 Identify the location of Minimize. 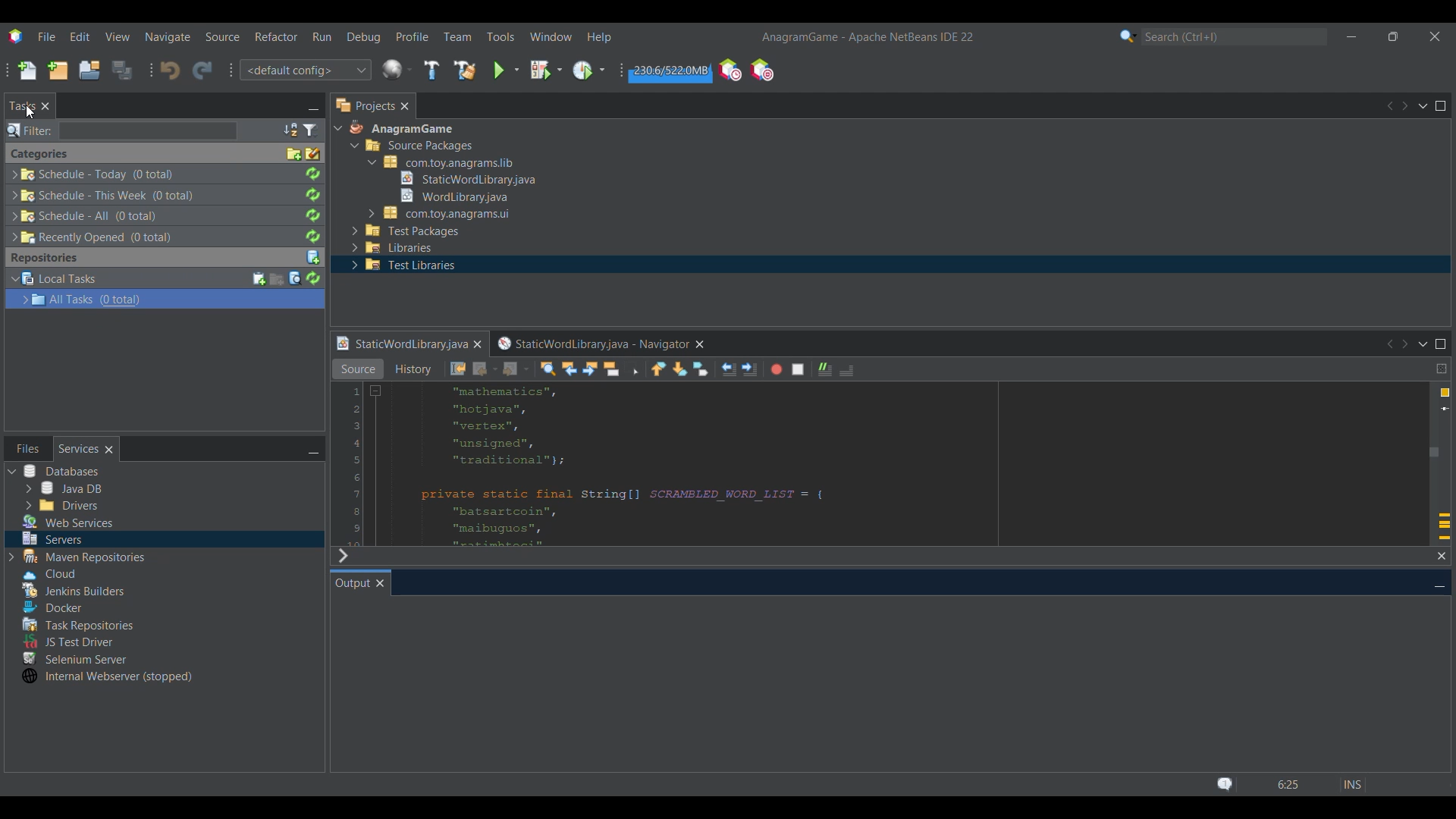
(1352, 37).